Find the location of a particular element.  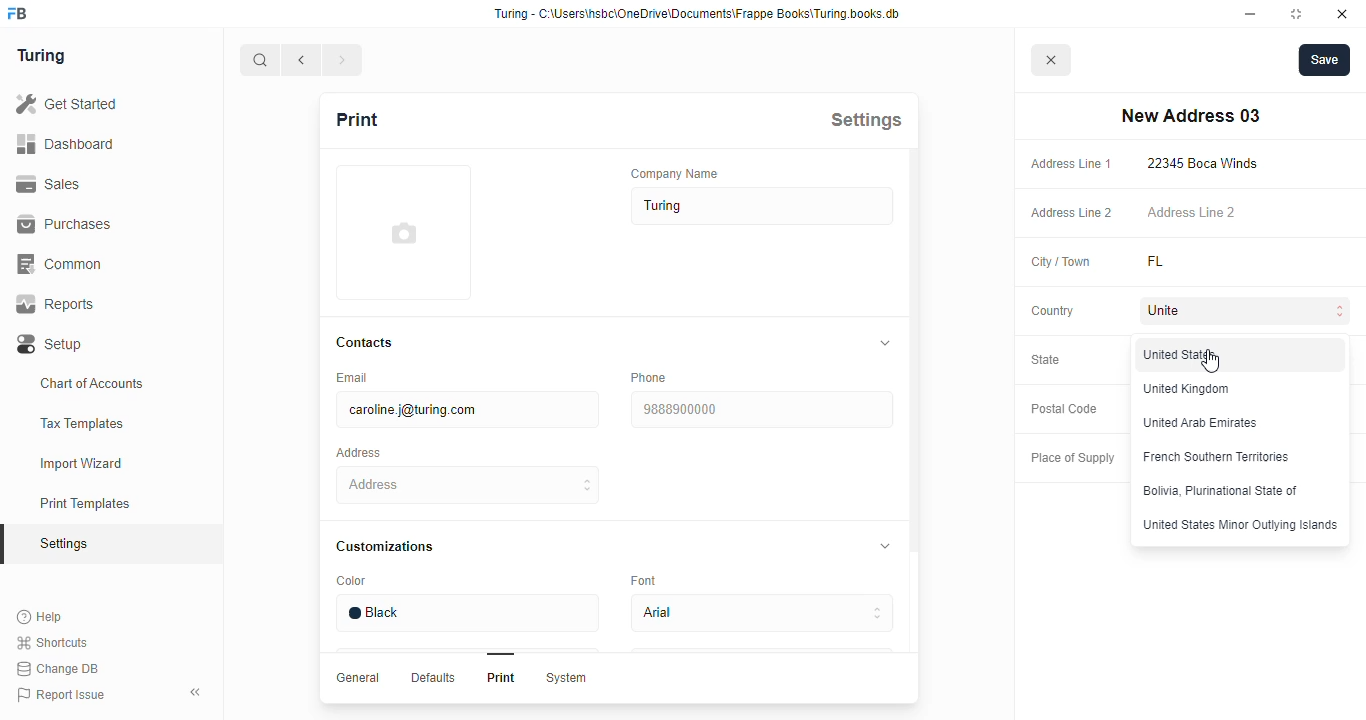

cancel is located at coordinates (1052, 61).